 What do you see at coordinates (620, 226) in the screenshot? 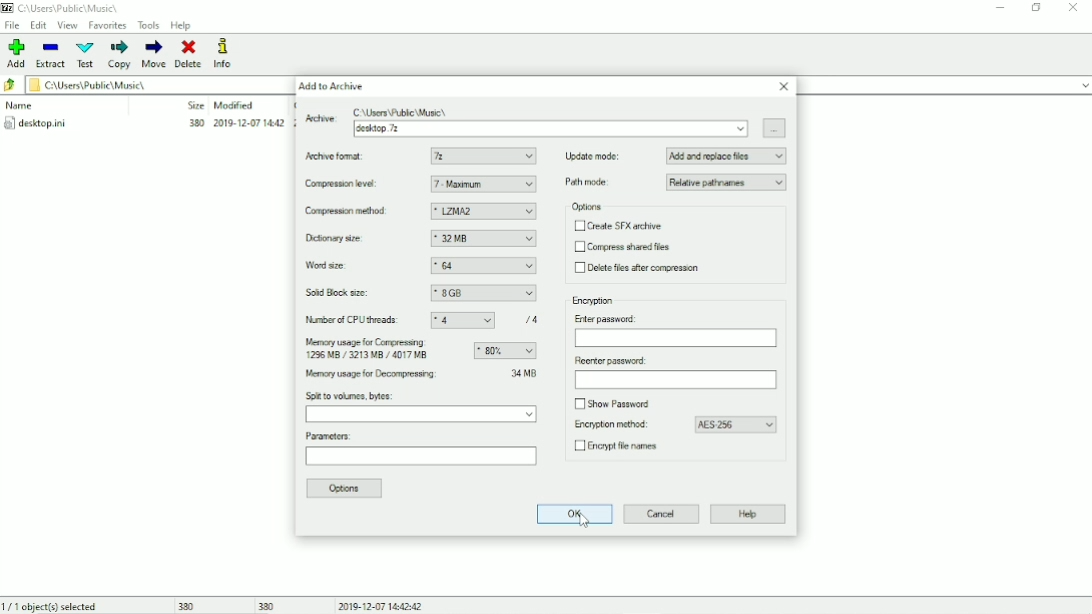
I see `Create SFX archive` at bounding box center [620, 226].